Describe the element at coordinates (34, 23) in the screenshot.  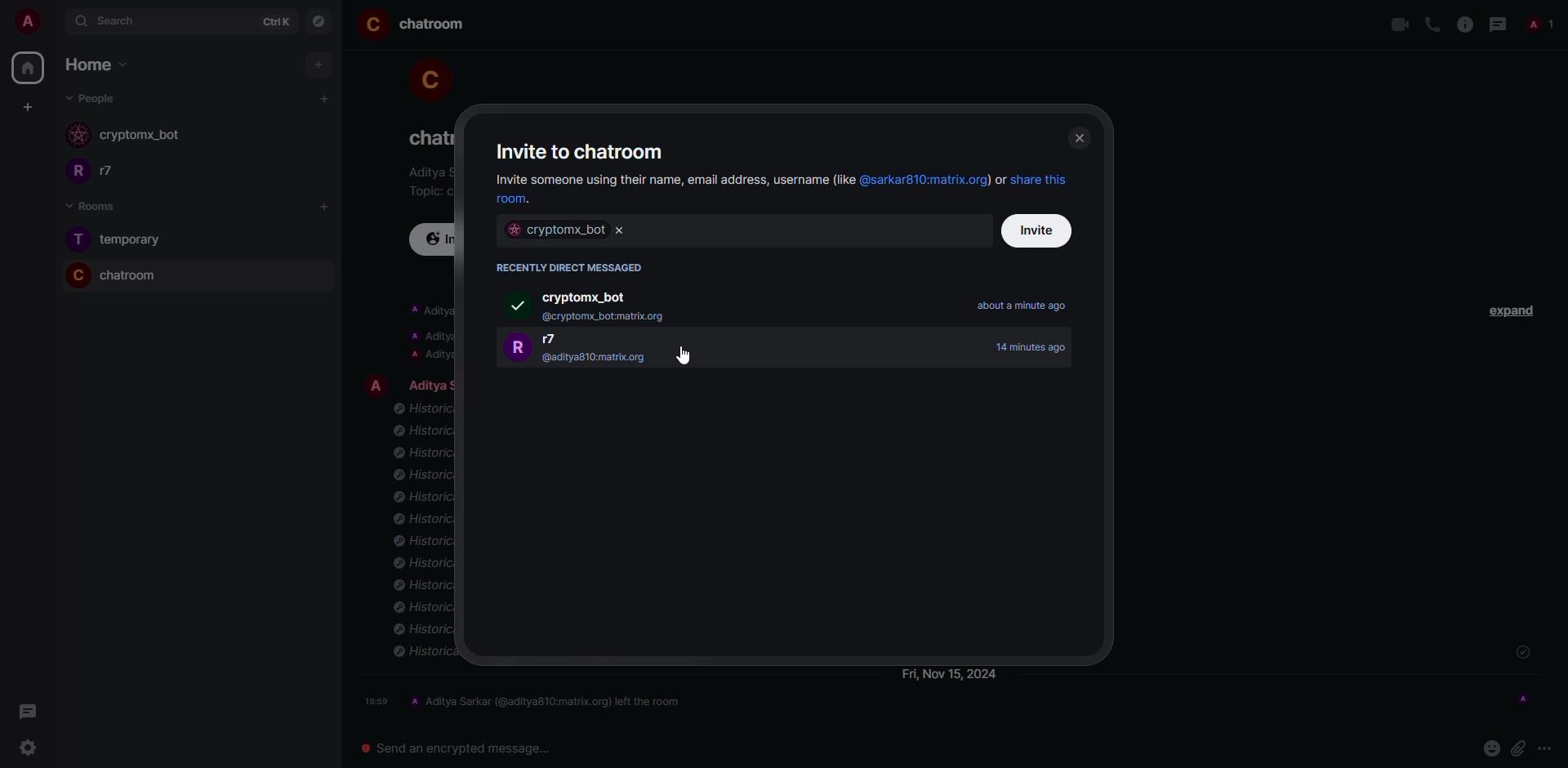
I see `account` at that location.